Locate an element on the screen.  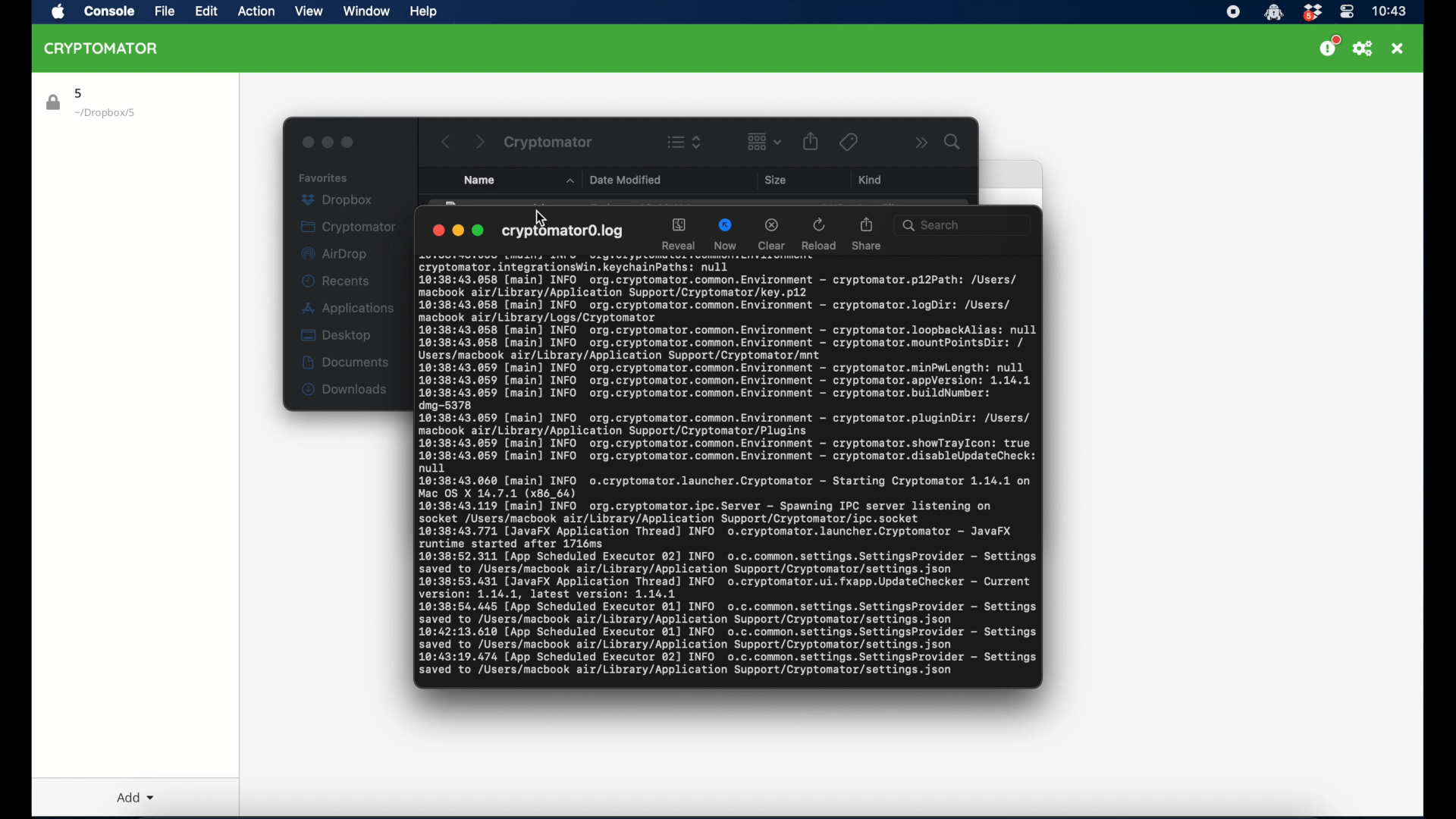
control center is located at coordinates (1347, 11).